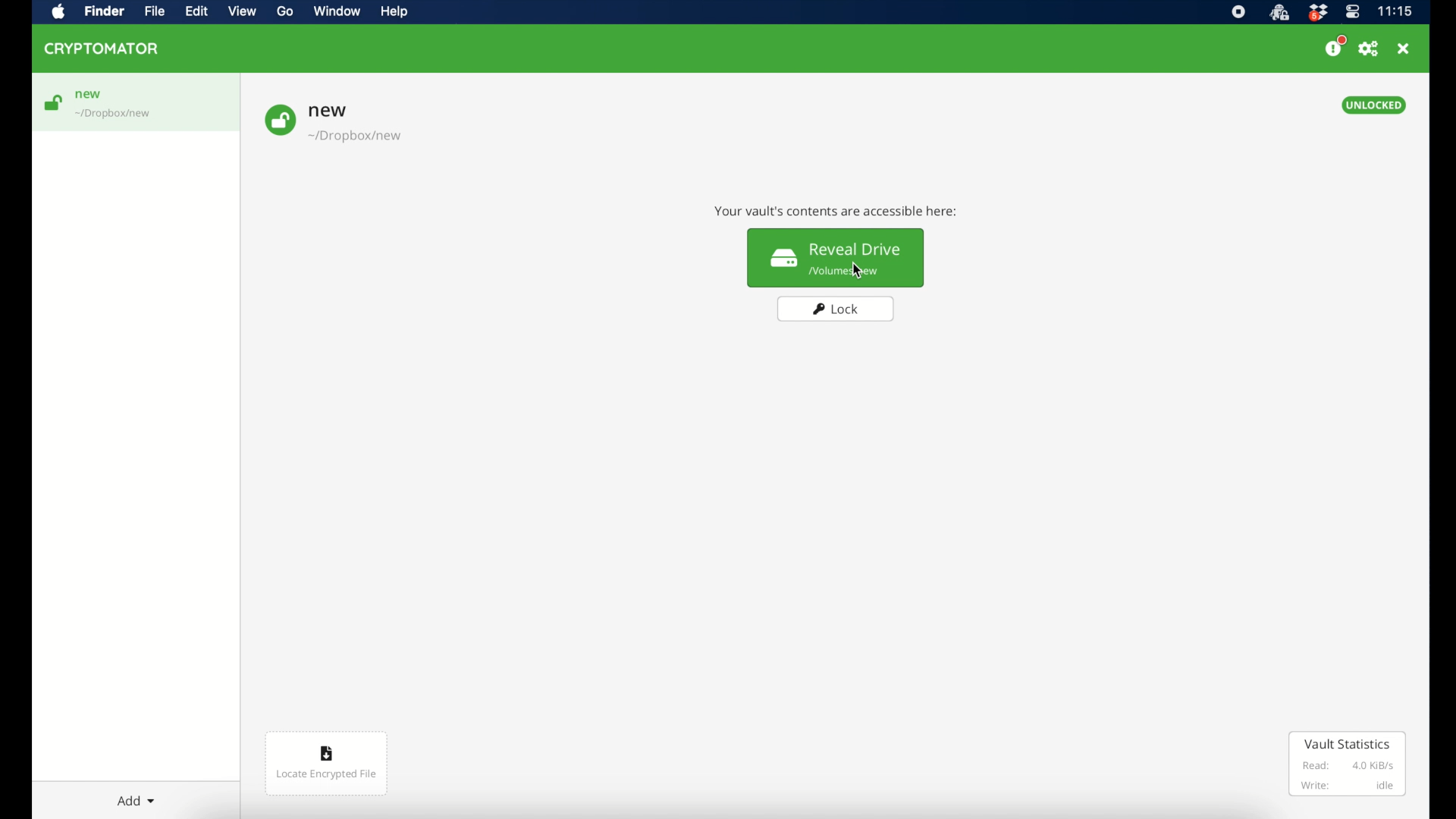 This screenshot has width=1456, height=819. Describe the element at coordinates (1348, 764) in the screenshot. I see `vault statistics` at that location.